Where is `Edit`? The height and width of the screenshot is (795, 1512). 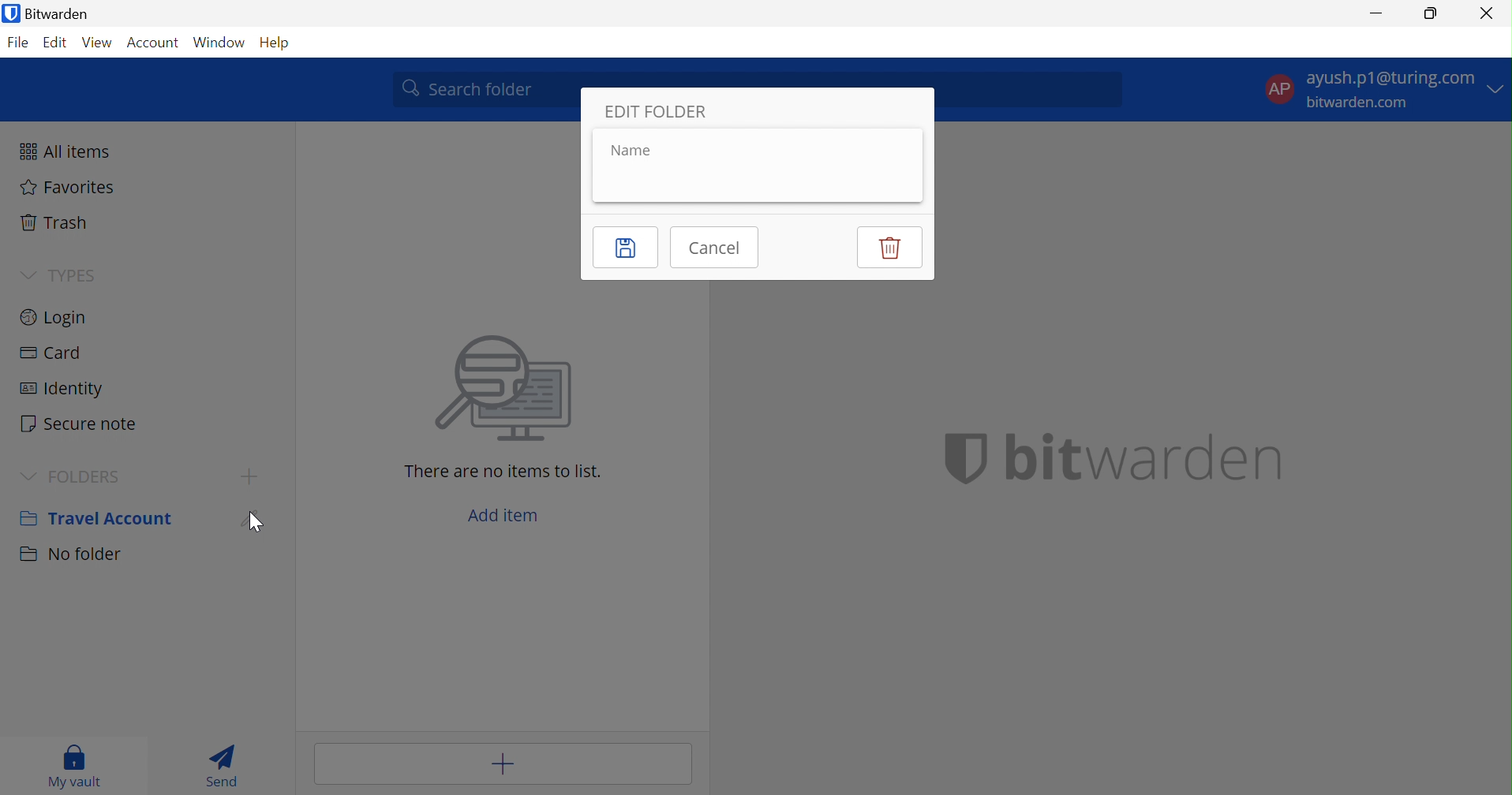 Edit is located at coordinates (256, 518).